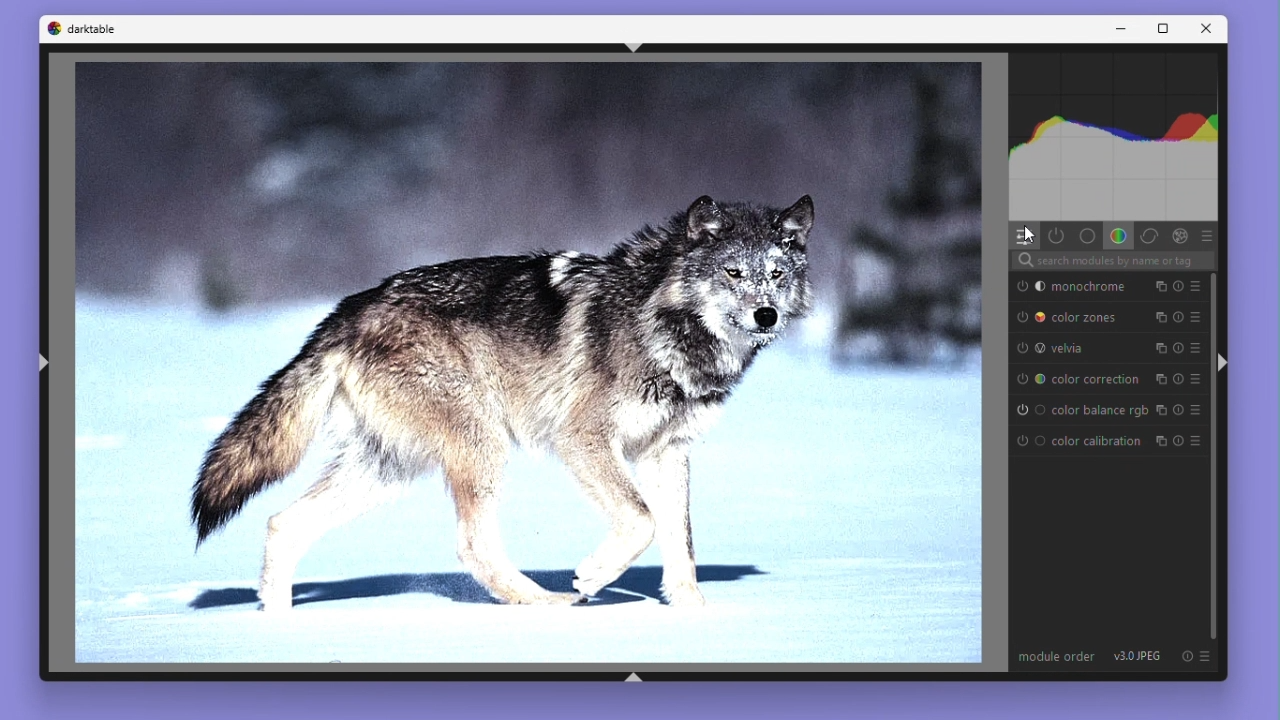 This screenshot has height=720, width=1280. Describe the element at coordinates (1057, 236) in the screenshot. I see `show only active modules` at that location.